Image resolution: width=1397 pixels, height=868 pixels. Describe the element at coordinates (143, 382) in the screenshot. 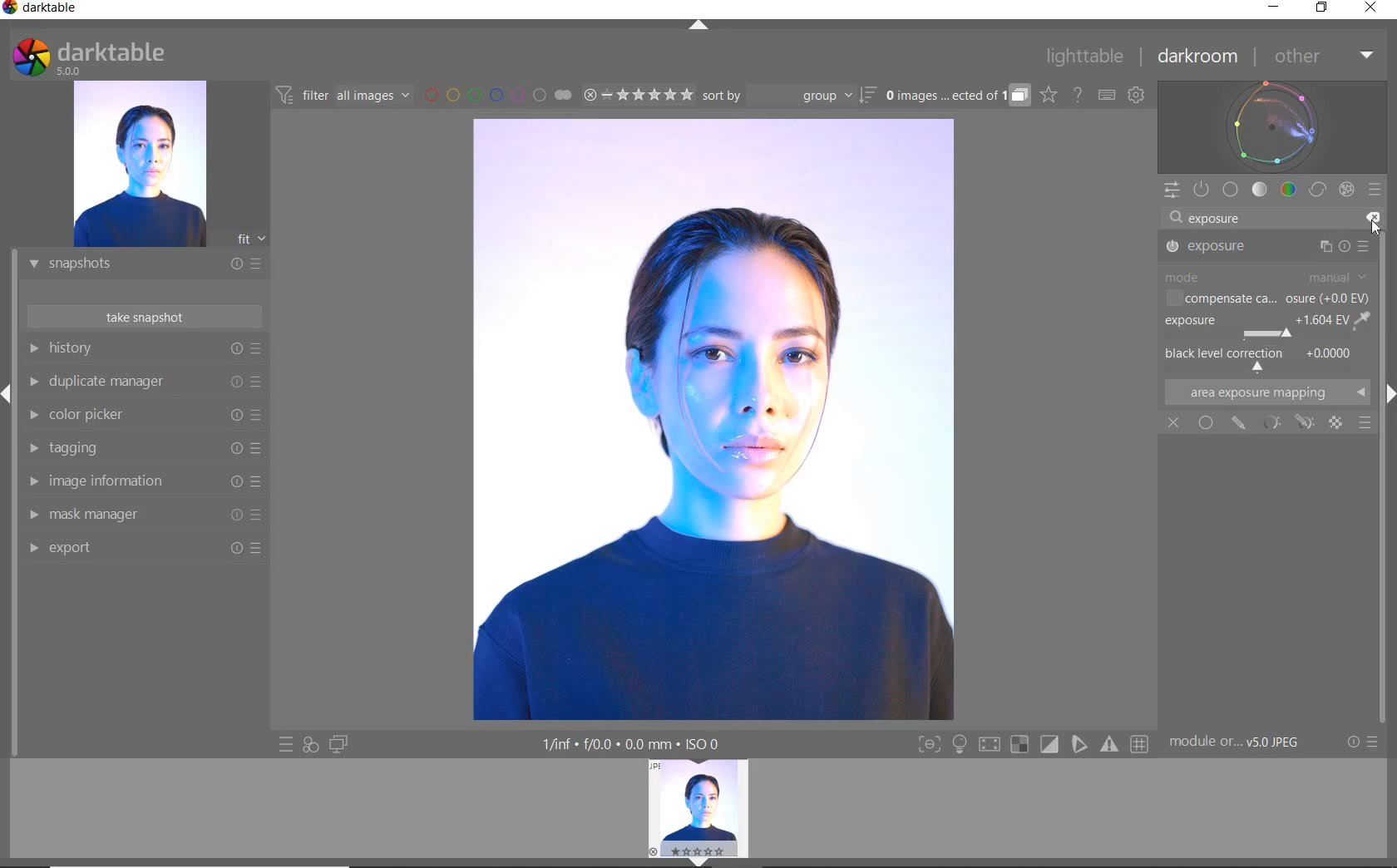

I see `DUPLICATE MANAGER` at that location.